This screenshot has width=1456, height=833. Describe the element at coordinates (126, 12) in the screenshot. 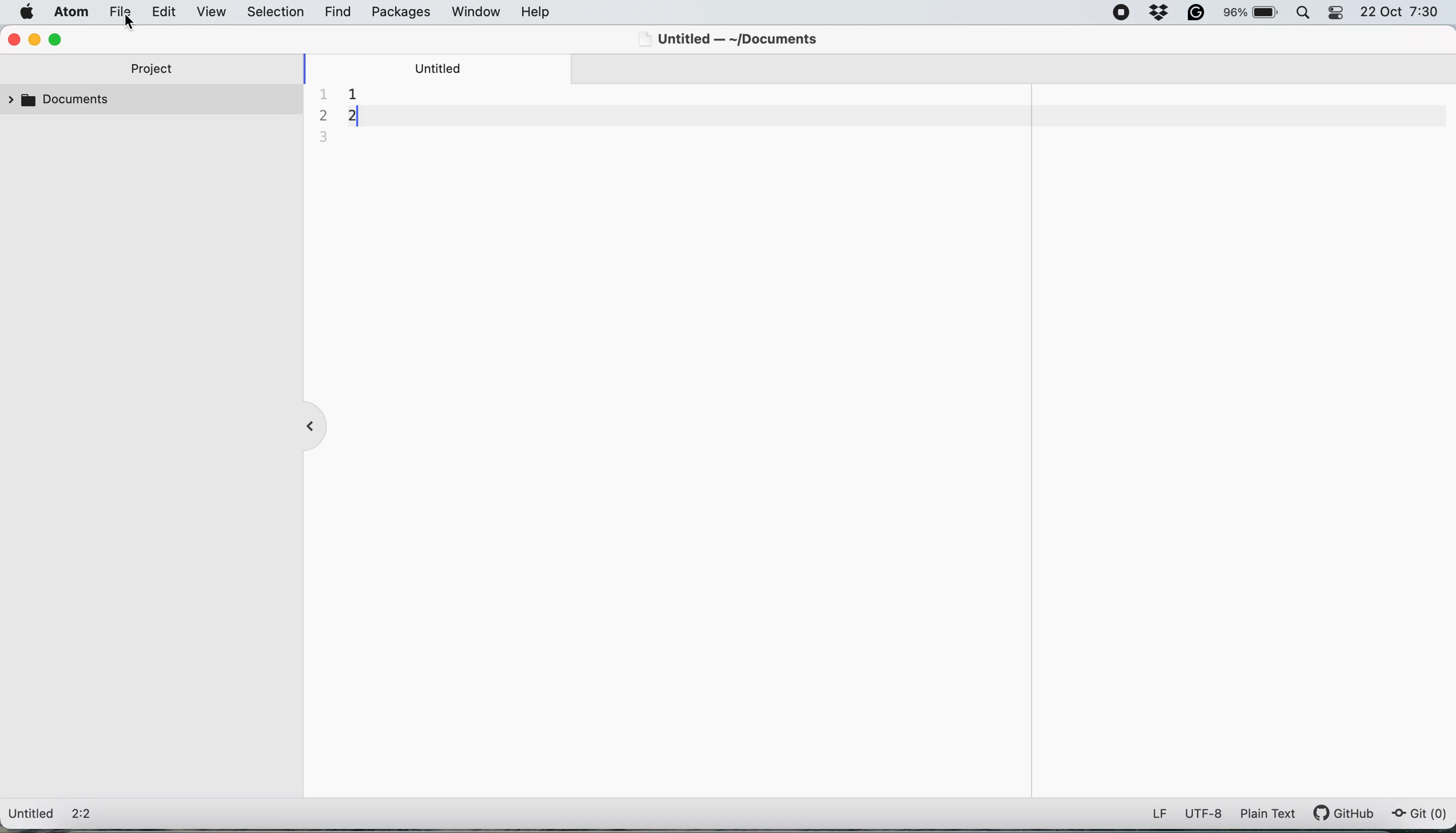

I see `file` at that location.